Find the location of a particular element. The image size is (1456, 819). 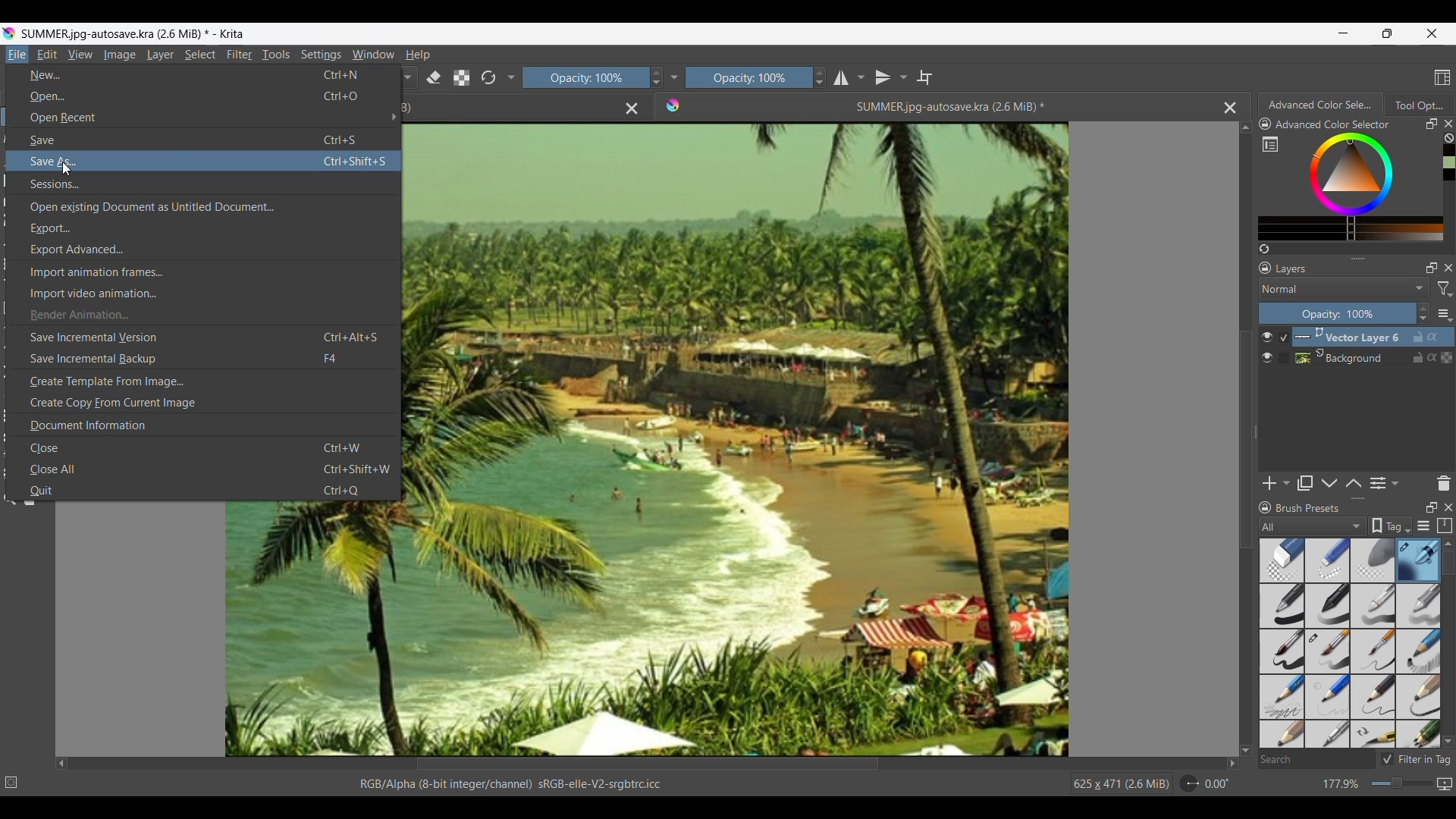

Layer is located at coordinates (160, 54).